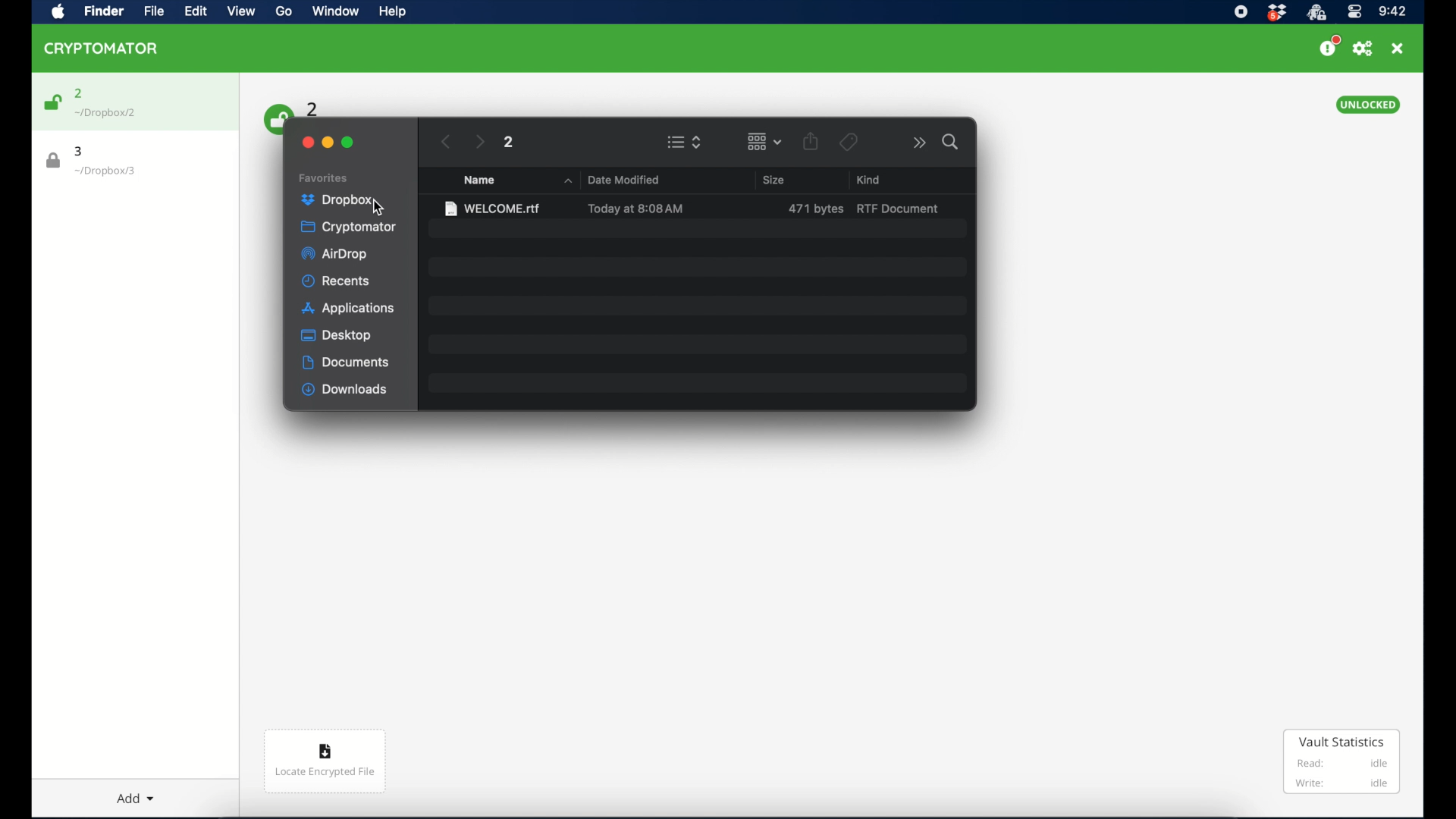 The image size is (1456, 819). Describe the element at coordinates (1367, 105) in the screenshot. I see `unlocked` at that location.